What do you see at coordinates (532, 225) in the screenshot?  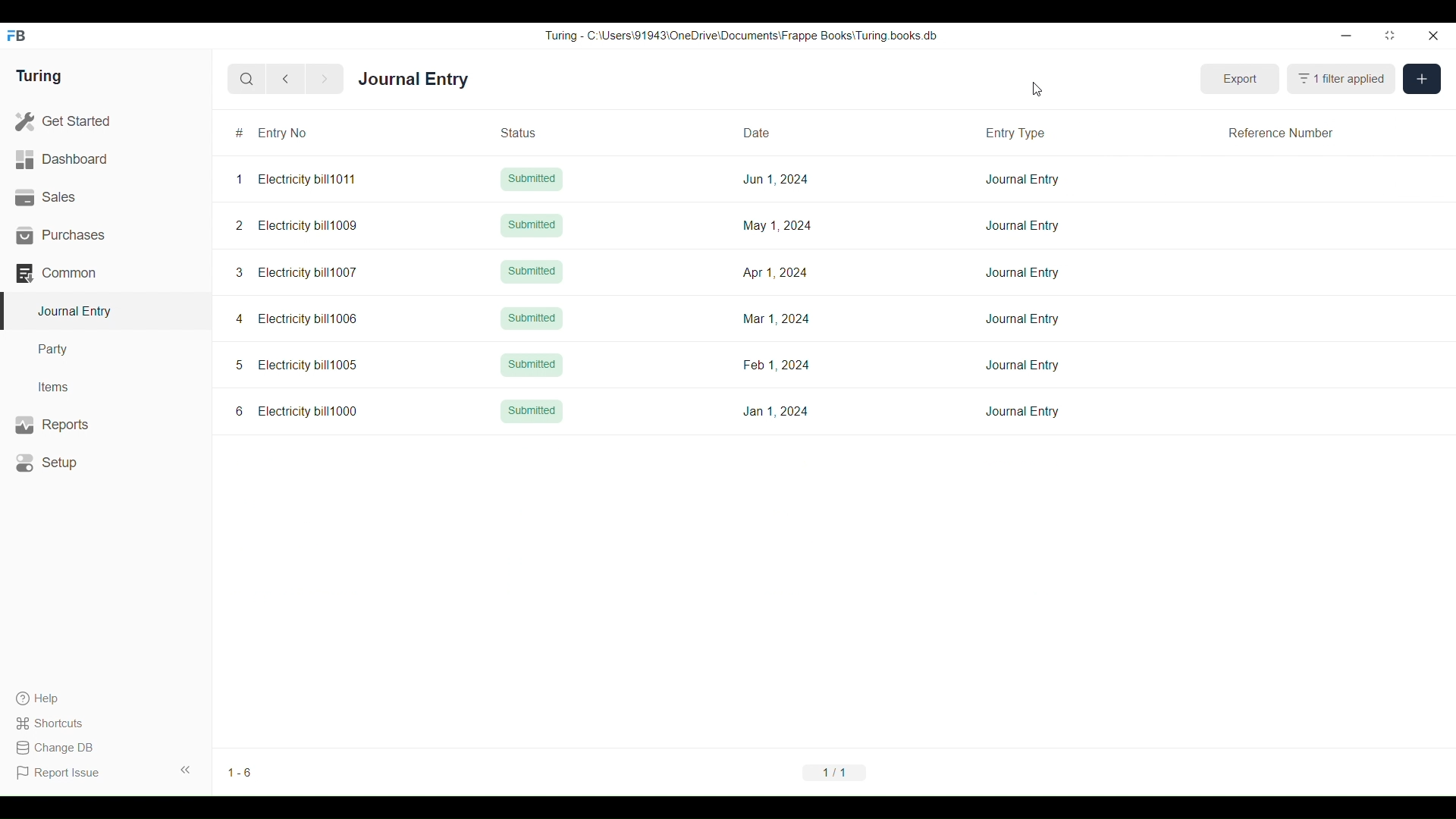 I see `Submitted` at bounding box center [532, 225].